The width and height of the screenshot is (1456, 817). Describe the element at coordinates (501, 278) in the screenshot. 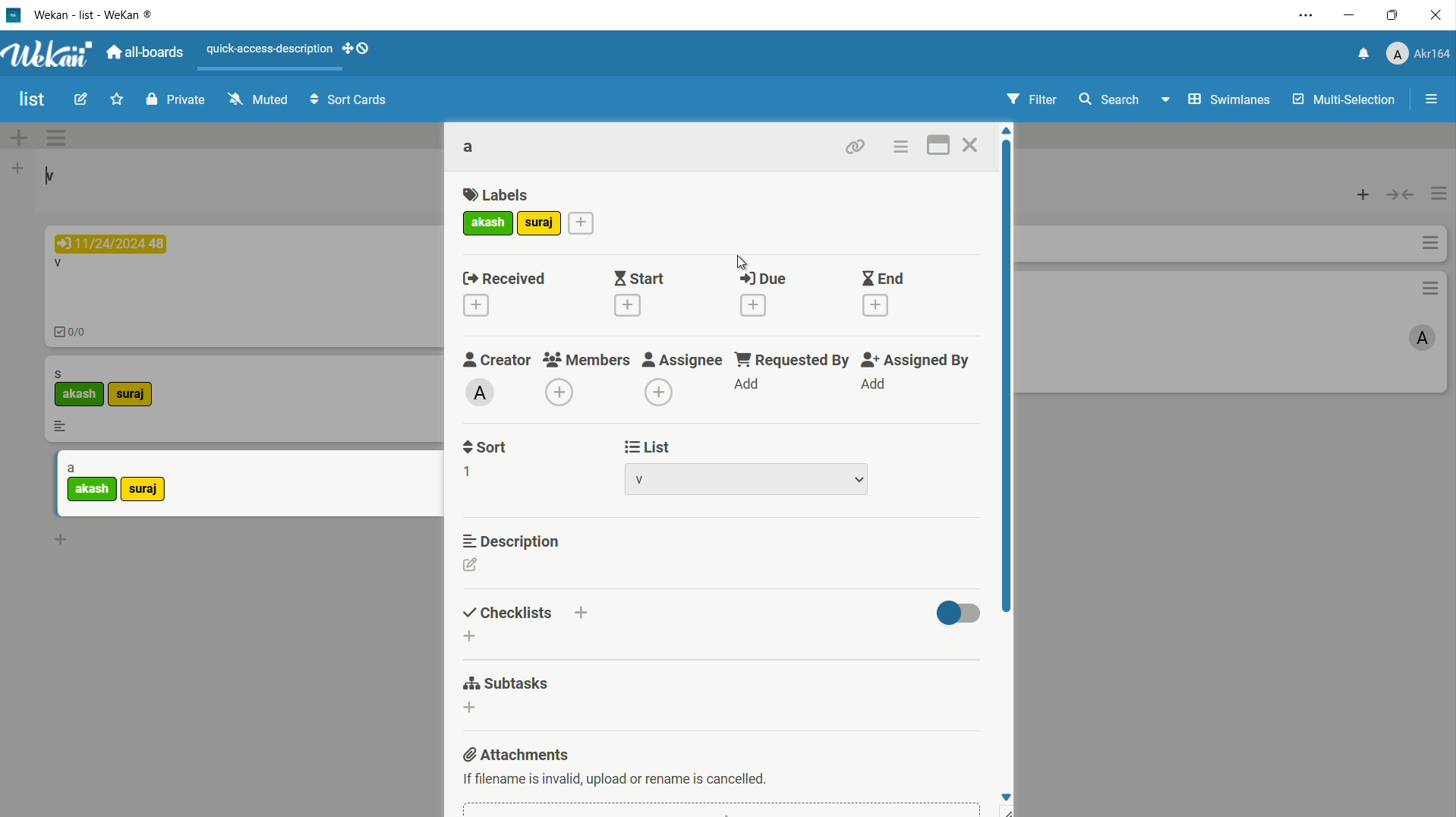

I see `Labels` at that location.